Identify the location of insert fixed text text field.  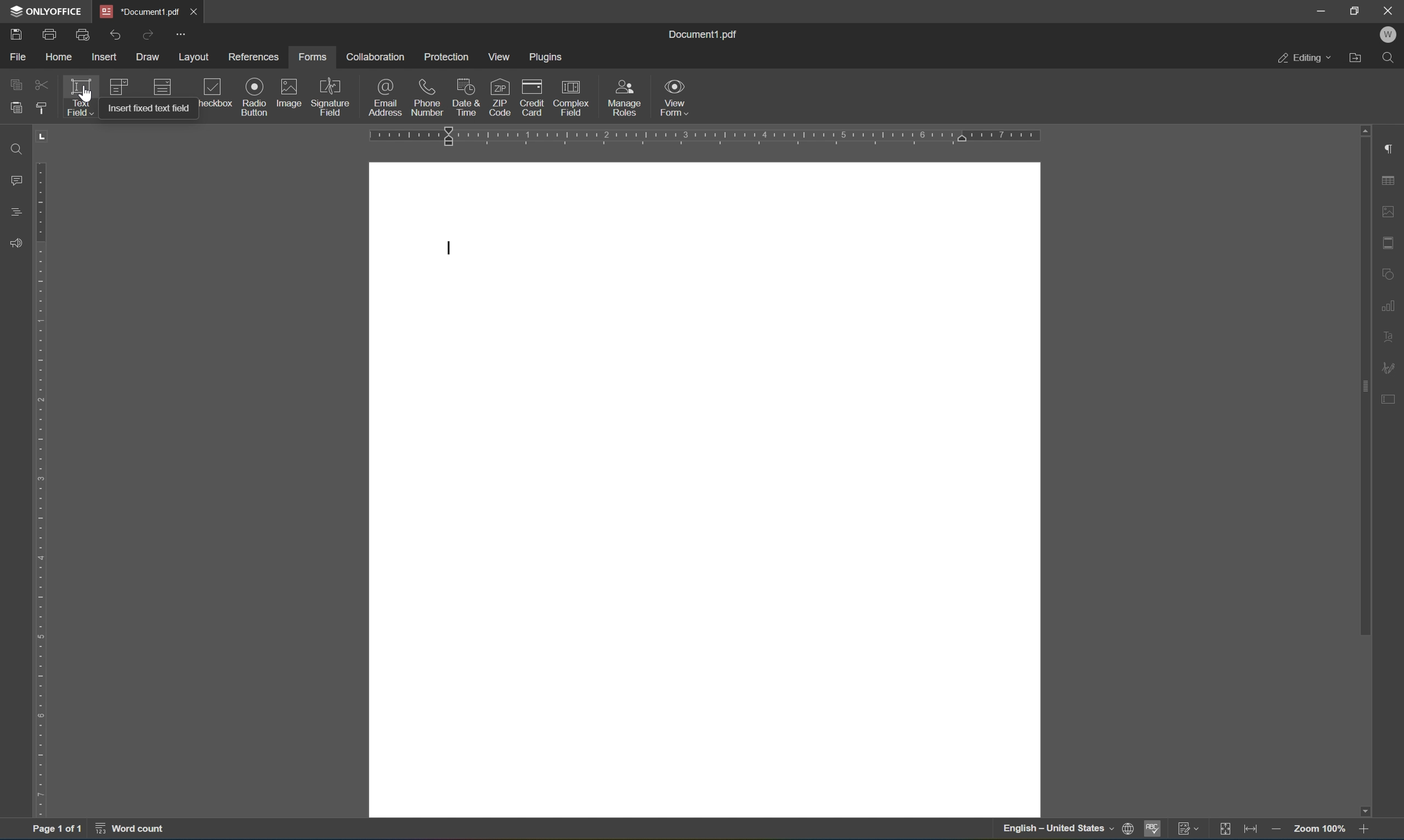
(145, 108).